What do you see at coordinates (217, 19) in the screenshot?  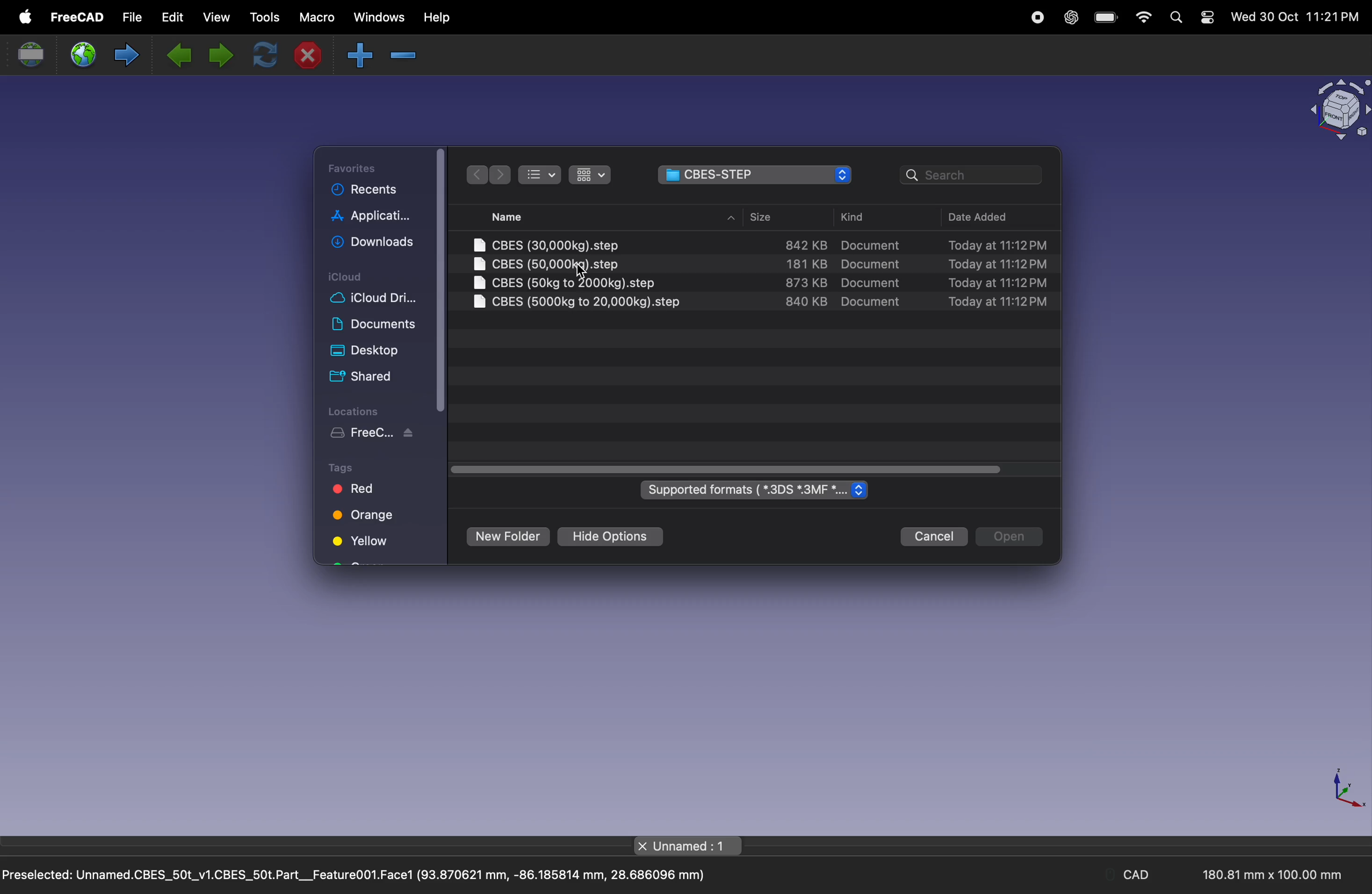 I see `view` at bounding box center [217, 19].